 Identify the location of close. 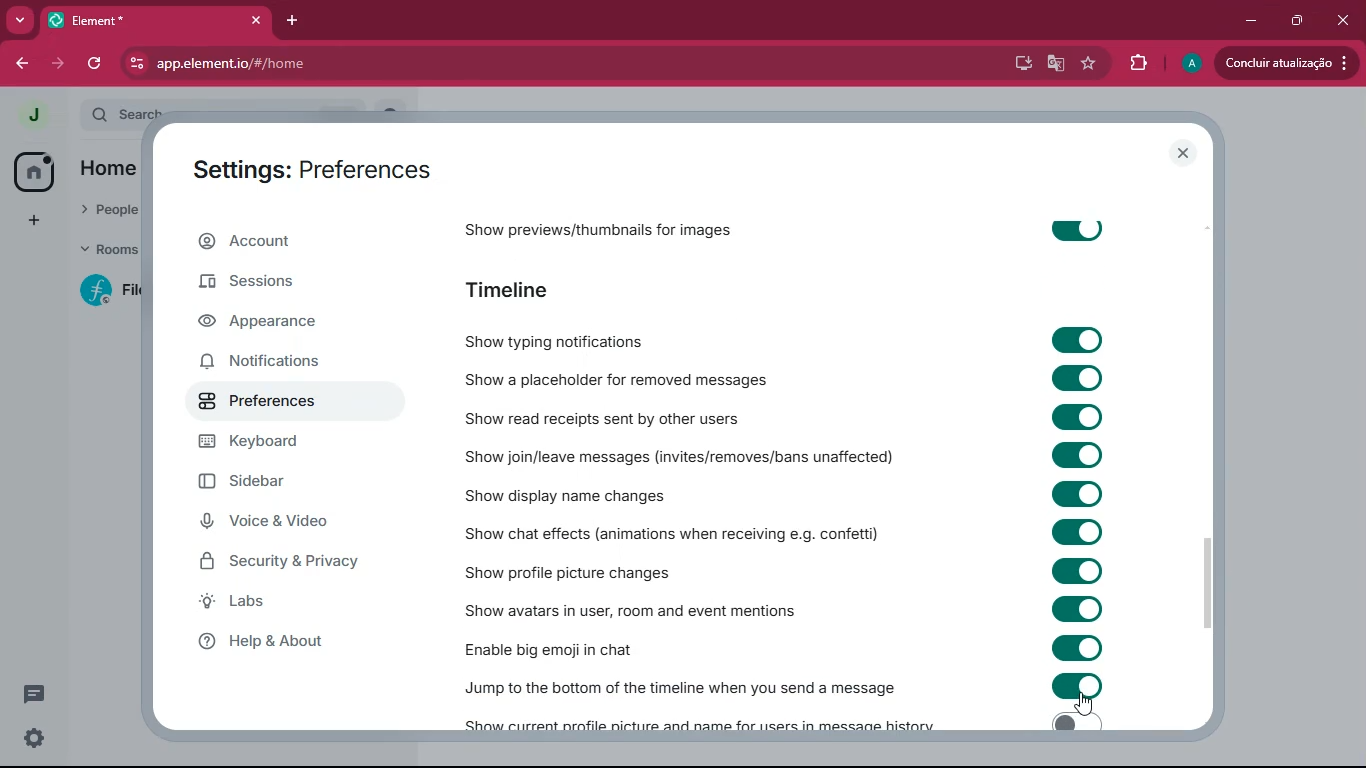
(1343, 20).